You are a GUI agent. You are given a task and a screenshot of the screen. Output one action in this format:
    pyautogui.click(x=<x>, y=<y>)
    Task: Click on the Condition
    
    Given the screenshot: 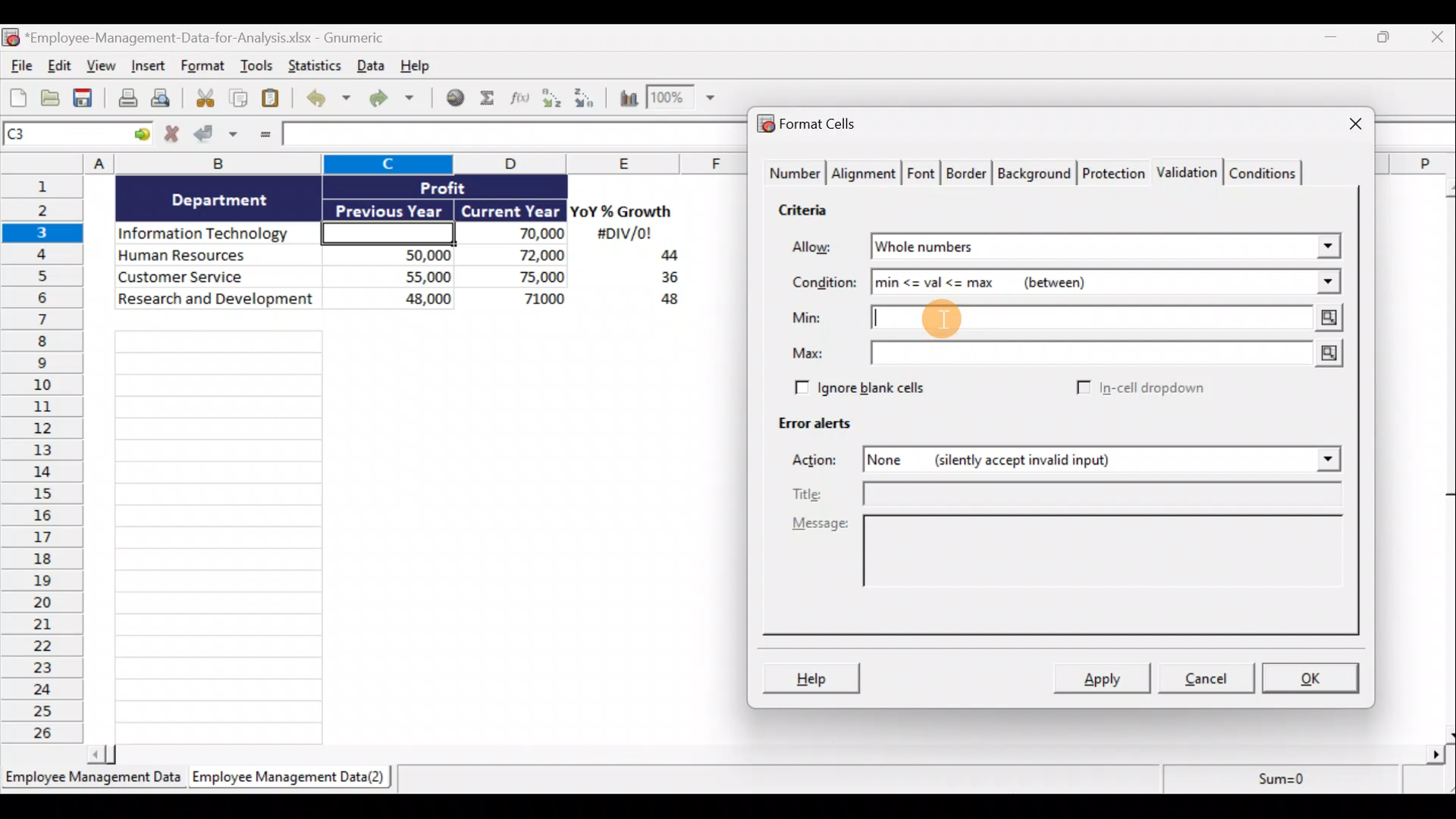 What is the action you would take?
    pyautogui.click(x=826, y=286)
    